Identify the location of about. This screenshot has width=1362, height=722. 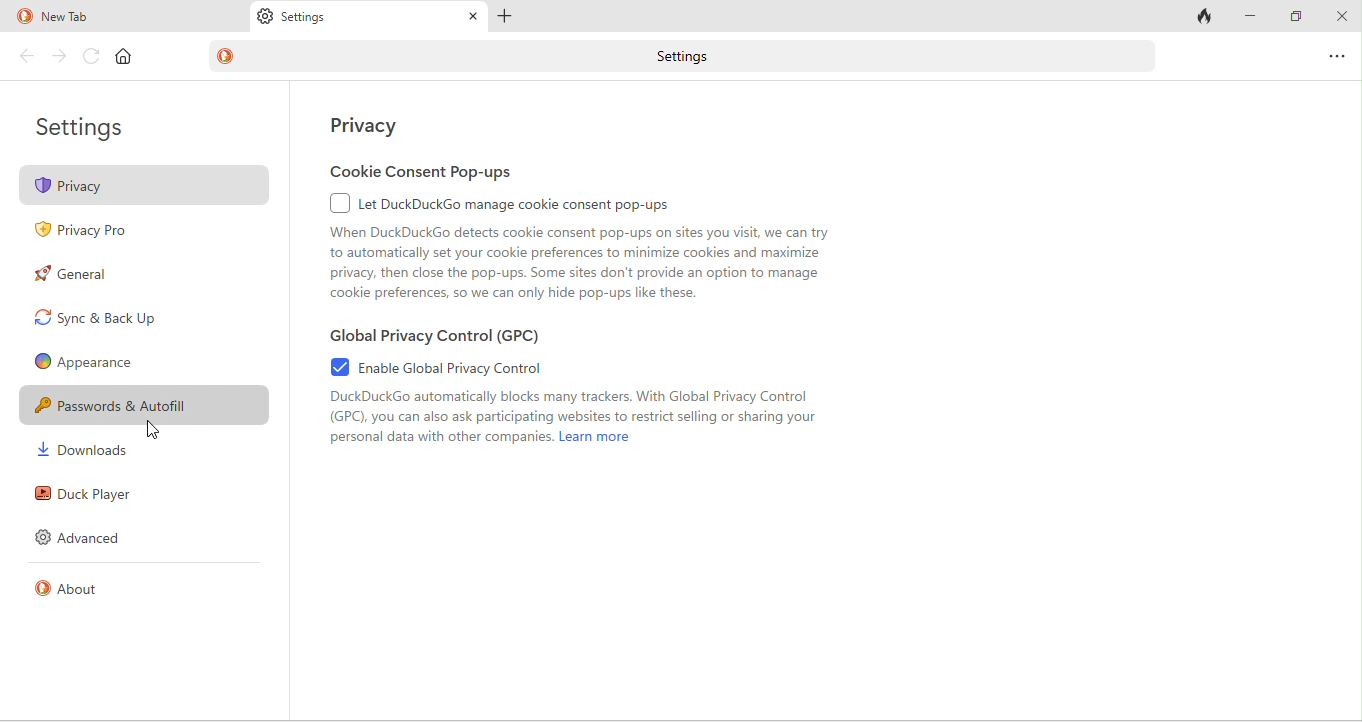
(84, 592).